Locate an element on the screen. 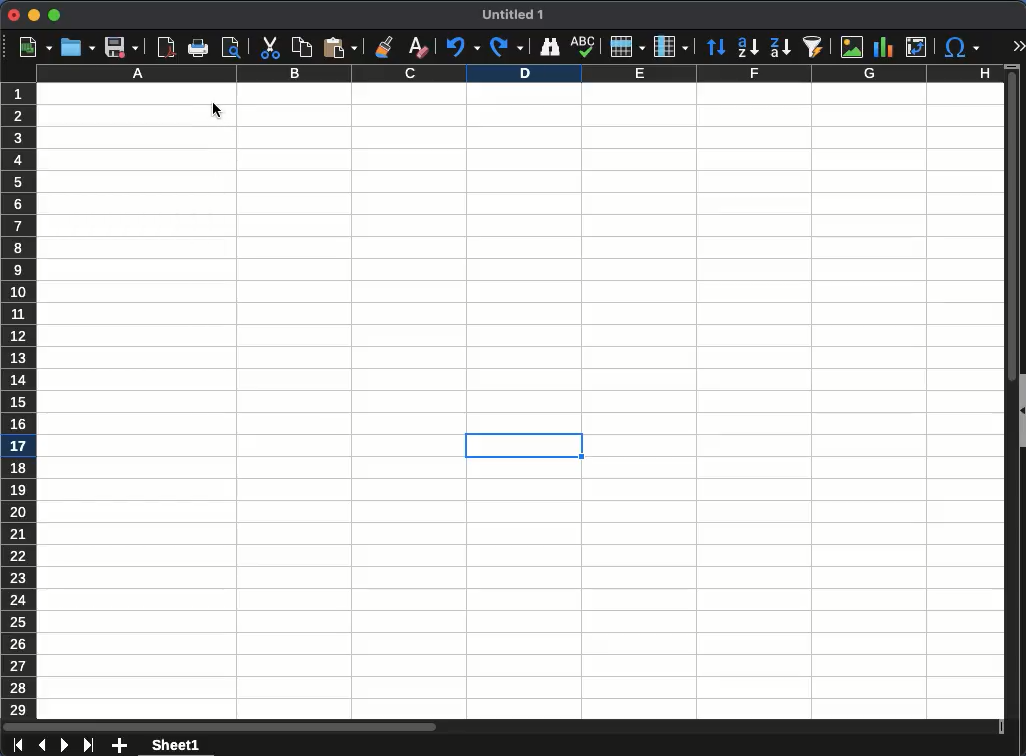 The image size is (1026, 756). pdf viewer is located at coordinates (167, 48).